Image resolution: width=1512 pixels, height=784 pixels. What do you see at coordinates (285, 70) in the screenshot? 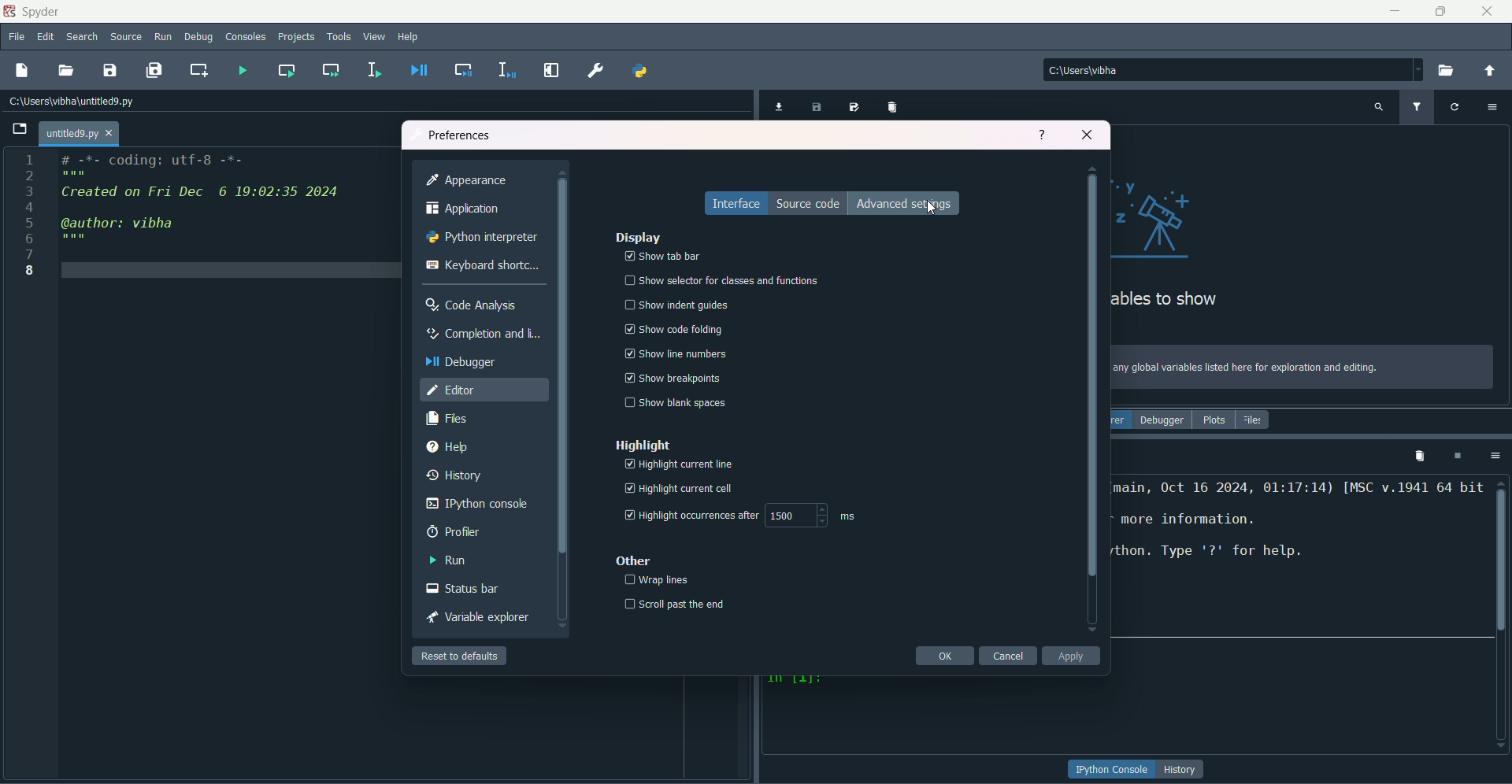
I see `run current cell` at bounding box center [285, 70].